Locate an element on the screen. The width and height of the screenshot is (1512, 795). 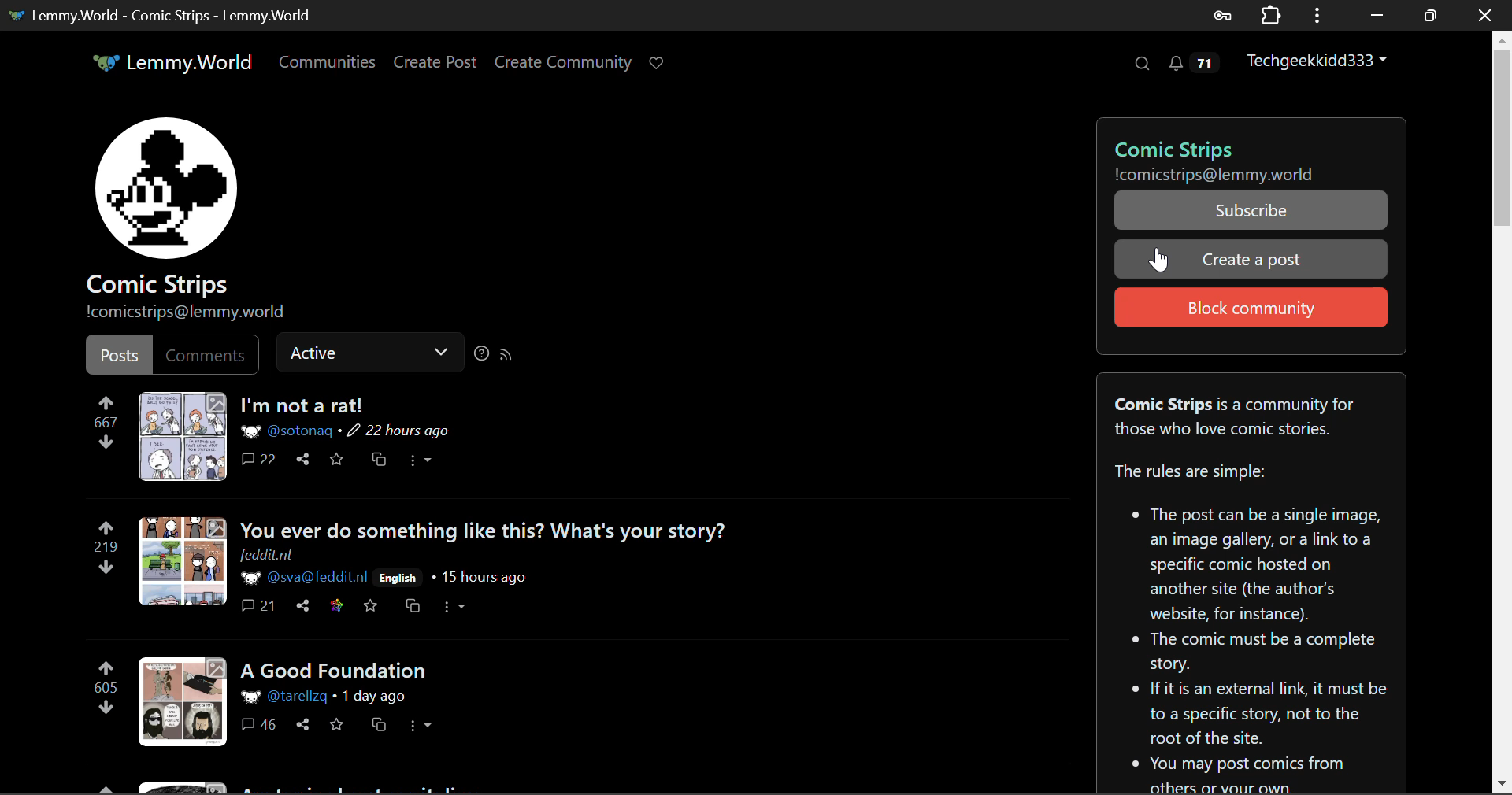
Comments is located at coordinates (258, 725).